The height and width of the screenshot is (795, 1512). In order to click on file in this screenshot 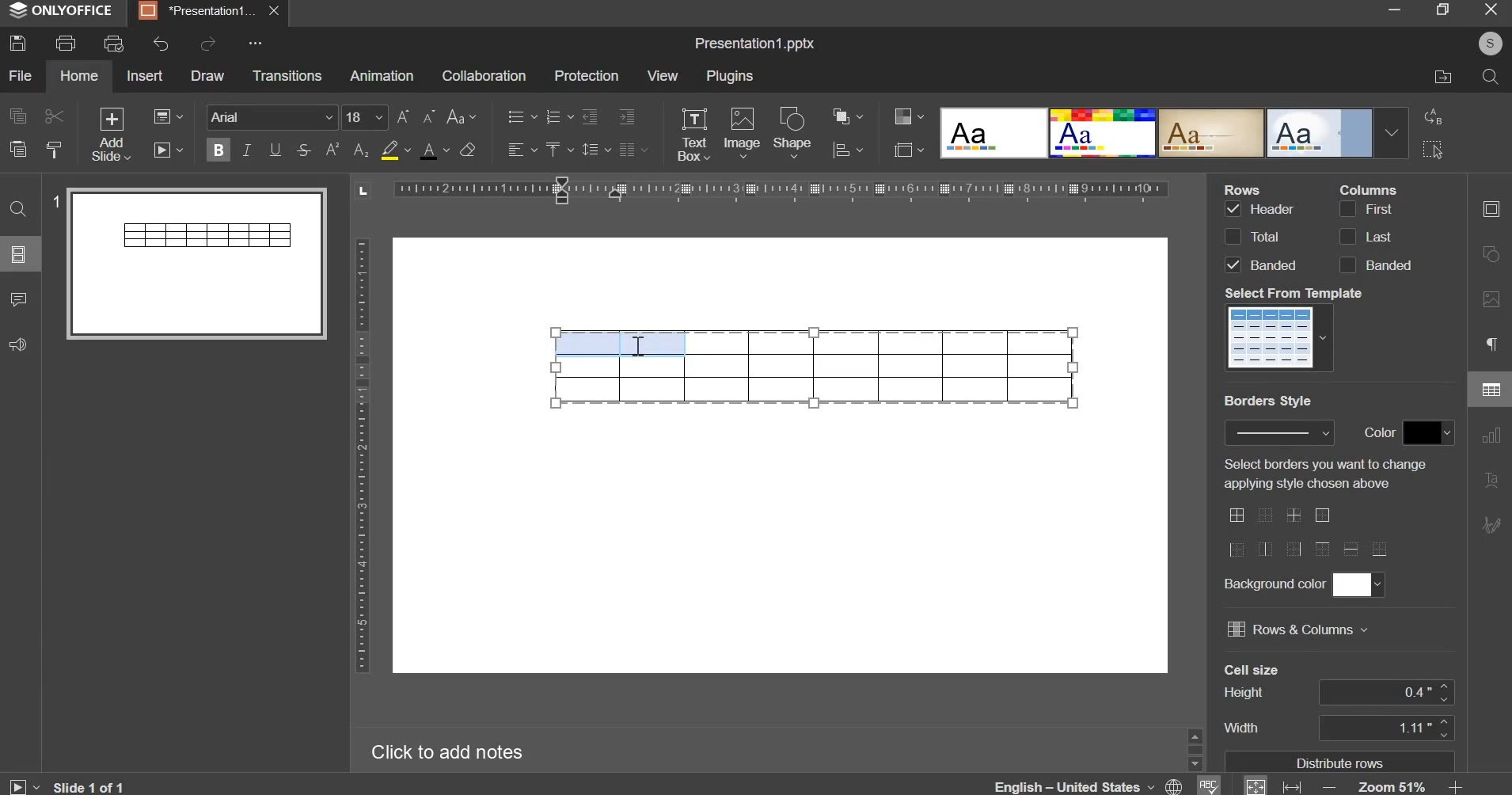, I will do `click(21, 75)`.